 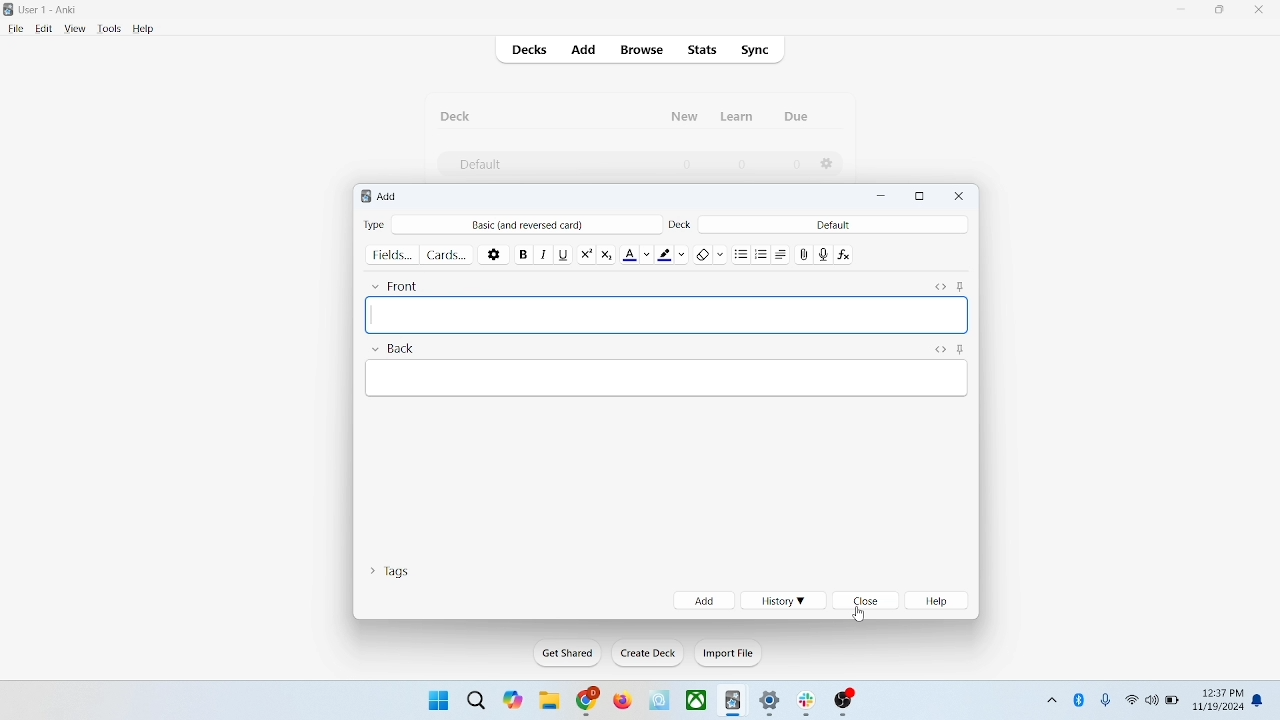 I want to click on default, so click(x=479, y=165).